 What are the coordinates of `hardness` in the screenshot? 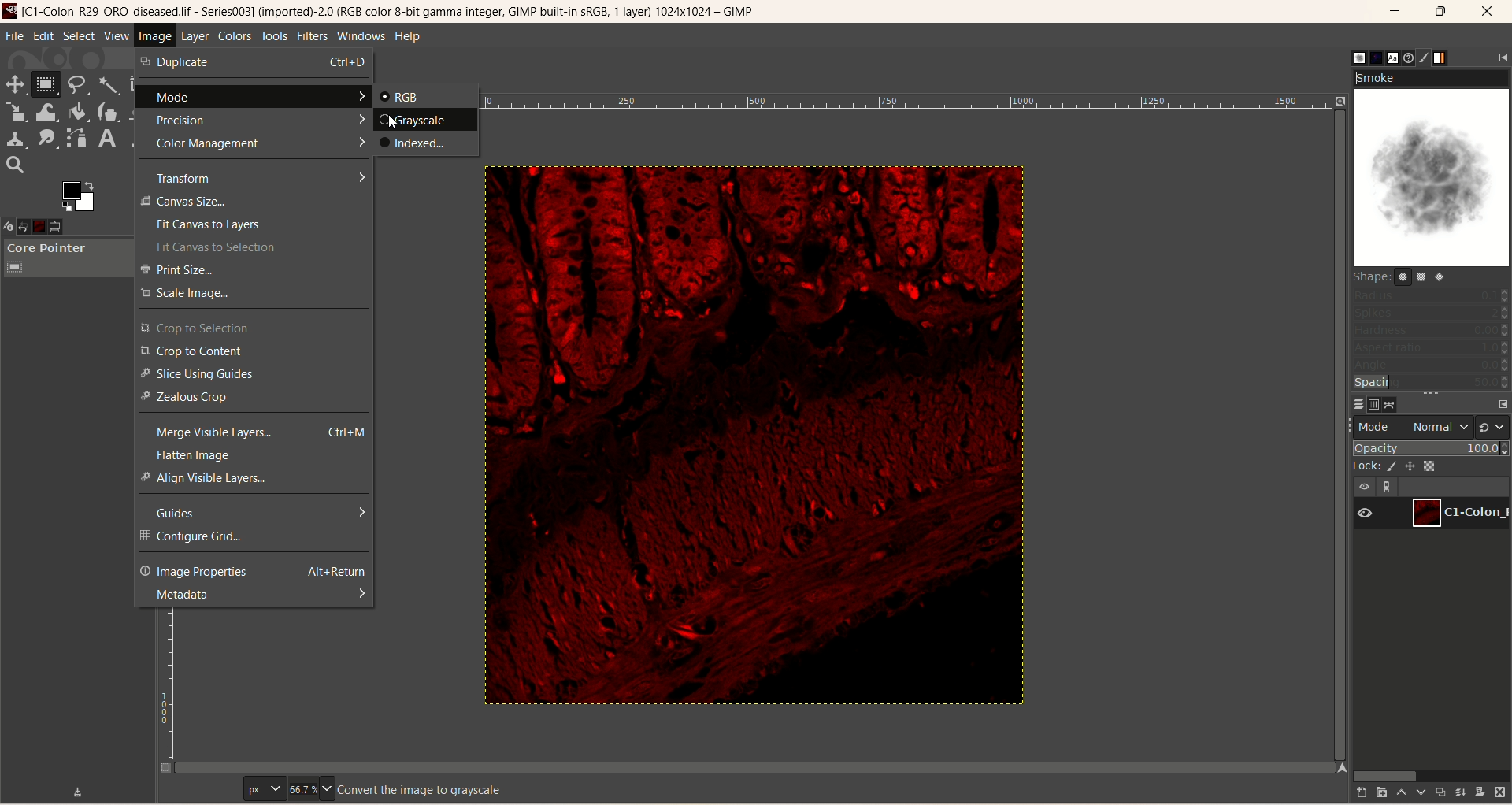 It's located at (1432, 332).